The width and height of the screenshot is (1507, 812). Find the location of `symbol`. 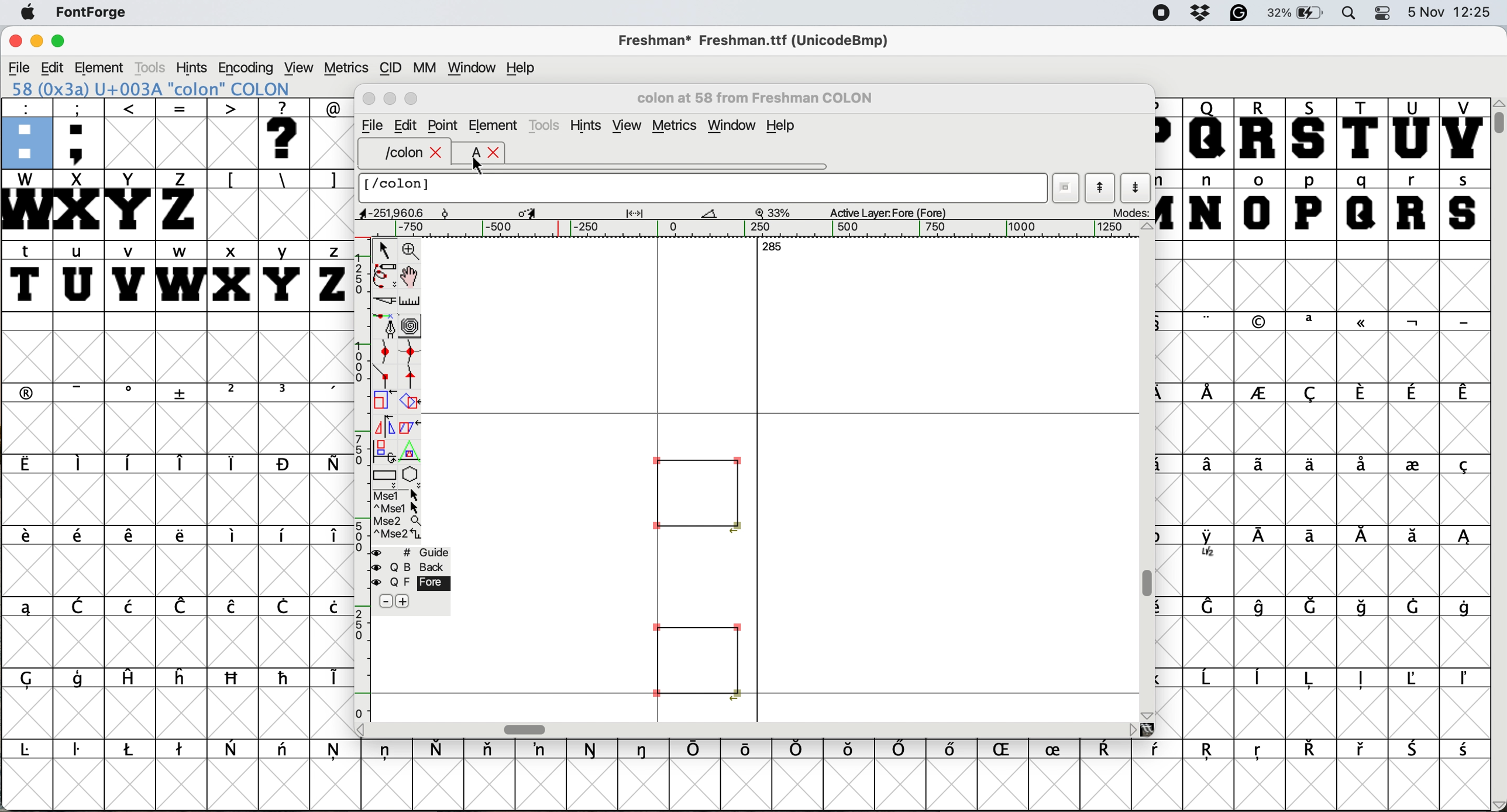

symbol is located at coordinates (130, 393).